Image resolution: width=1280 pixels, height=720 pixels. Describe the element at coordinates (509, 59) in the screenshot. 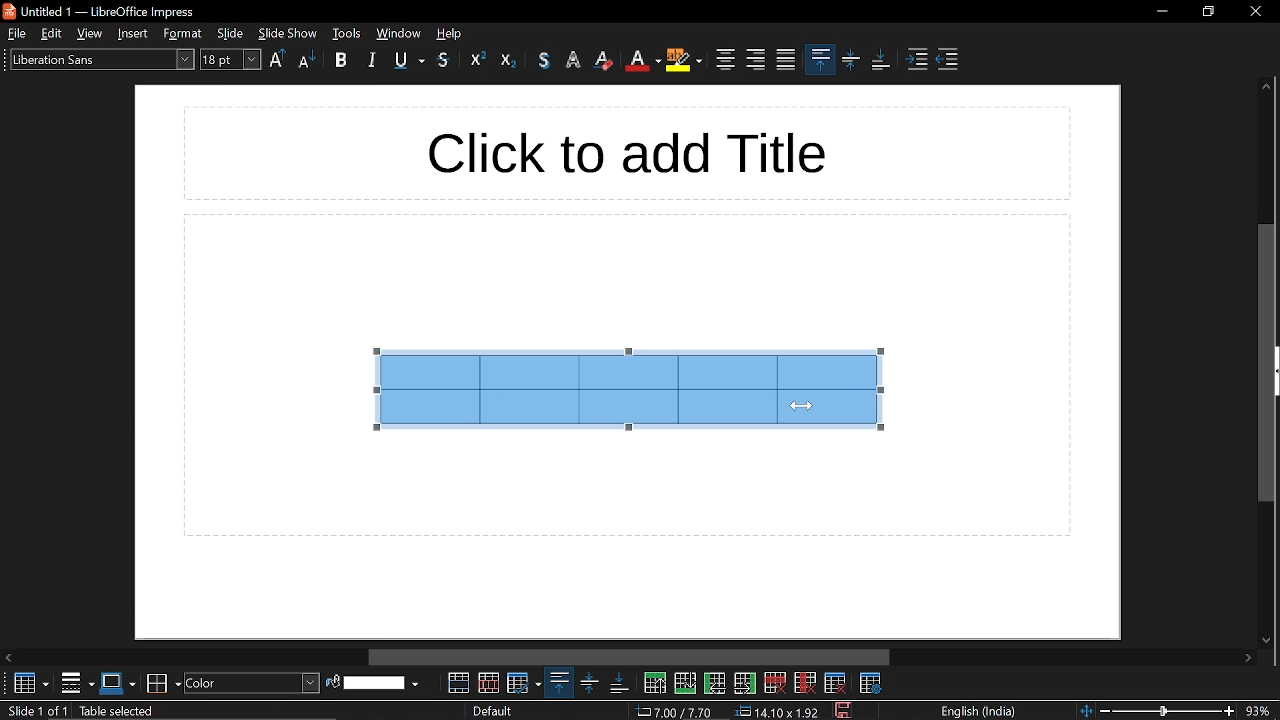

I see `eraser` at that location.